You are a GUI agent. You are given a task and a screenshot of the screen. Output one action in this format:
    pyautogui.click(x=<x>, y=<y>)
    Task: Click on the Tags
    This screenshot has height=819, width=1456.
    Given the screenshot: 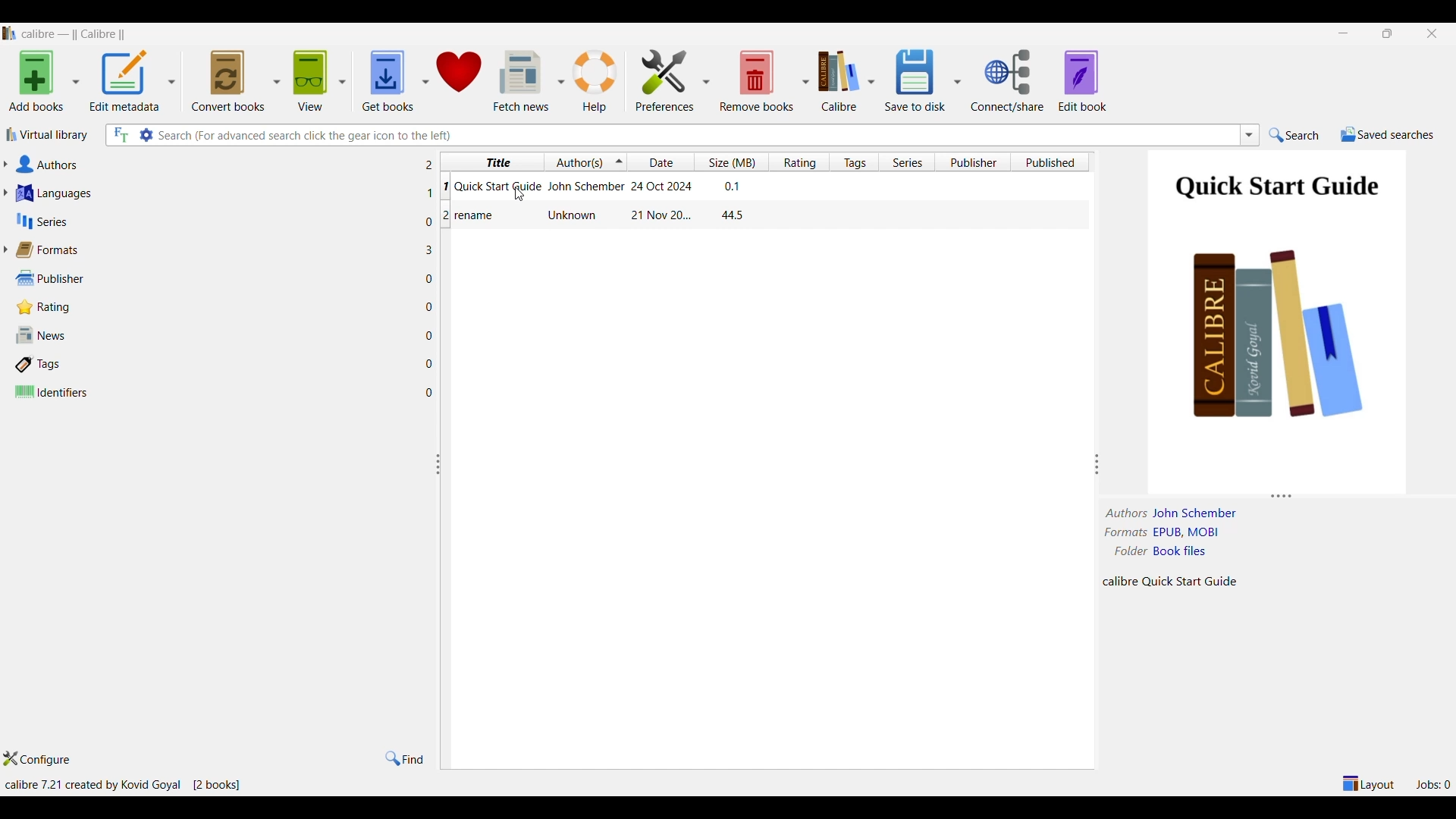 What is the action you would take?
    pyautogui.click(x=213, y=365)
    